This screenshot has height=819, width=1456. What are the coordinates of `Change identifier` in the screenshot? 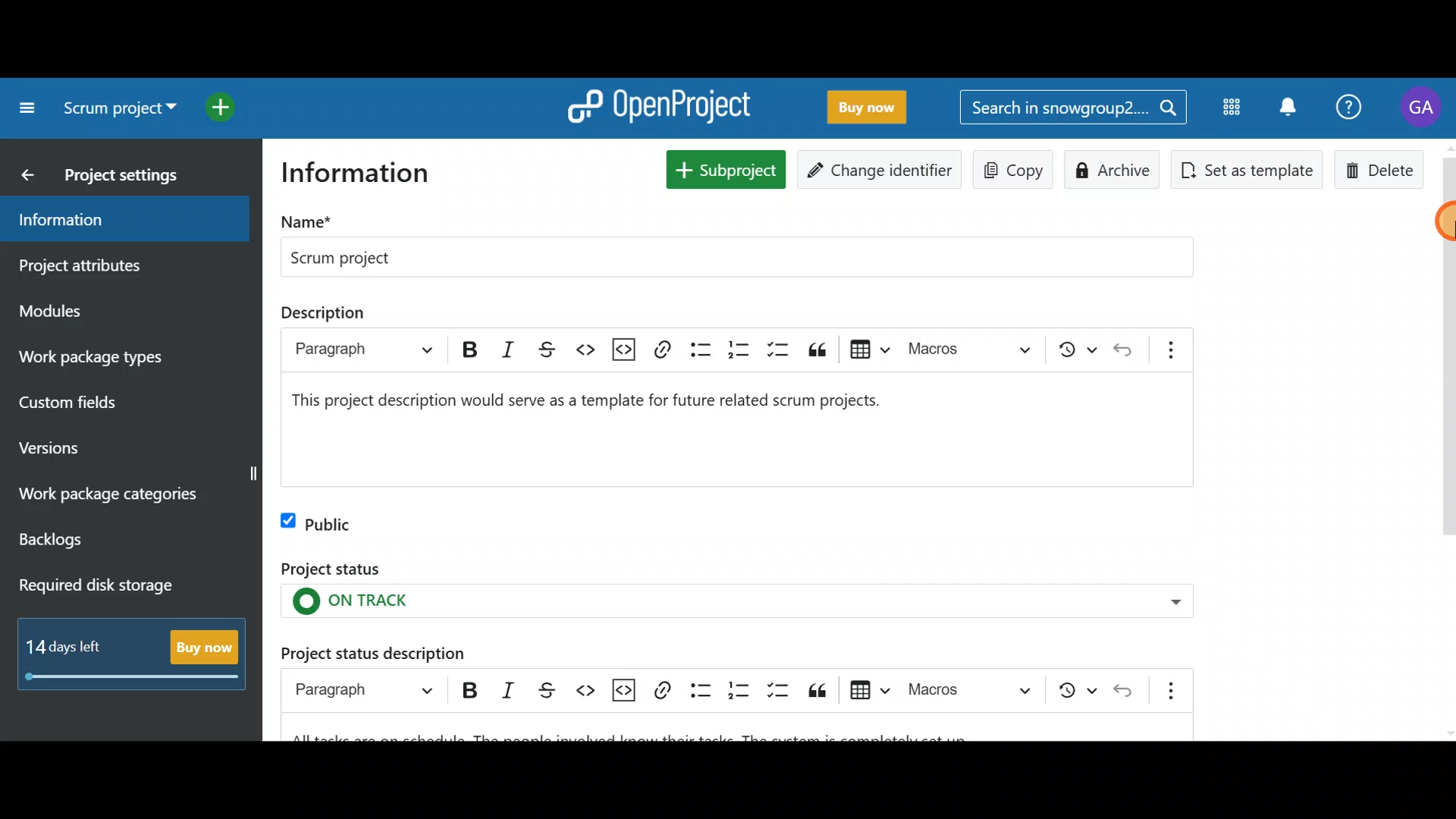 It's located at (882, 168).